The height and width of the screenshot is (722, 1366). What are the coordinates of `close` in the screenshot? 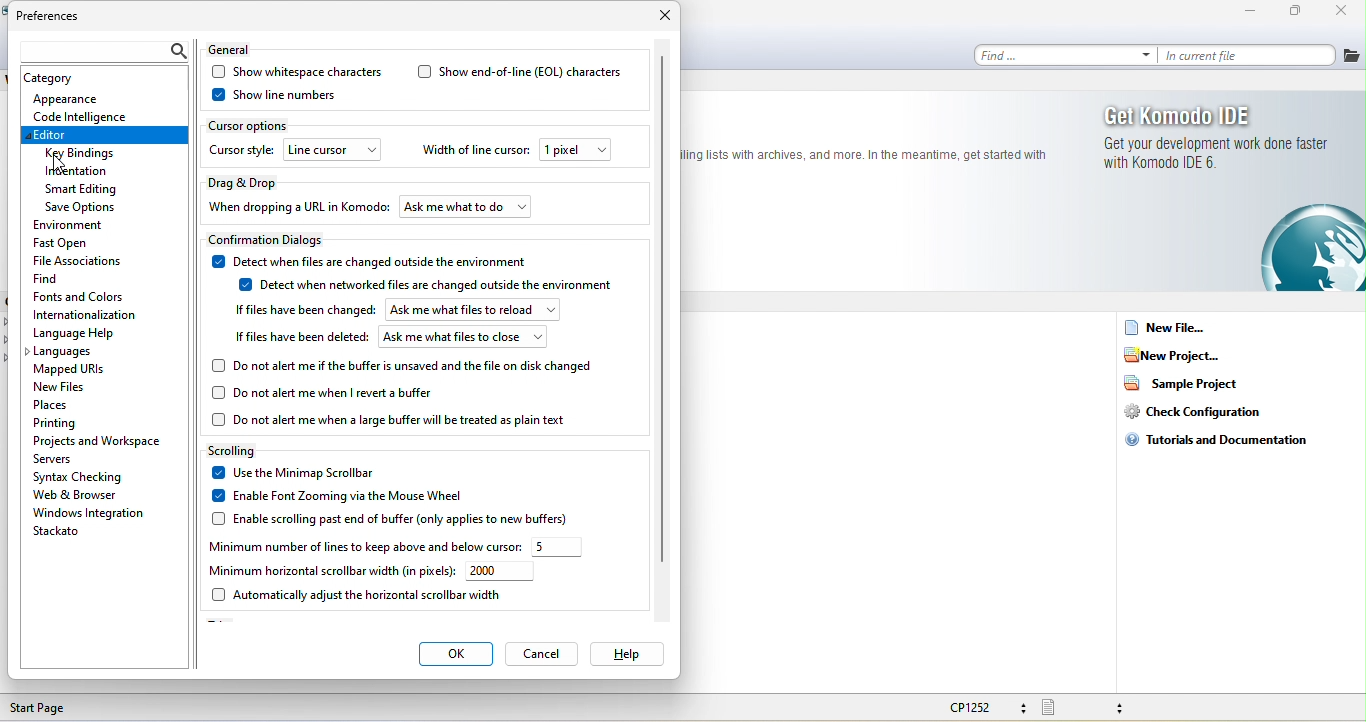 It's located at (1347, 12).